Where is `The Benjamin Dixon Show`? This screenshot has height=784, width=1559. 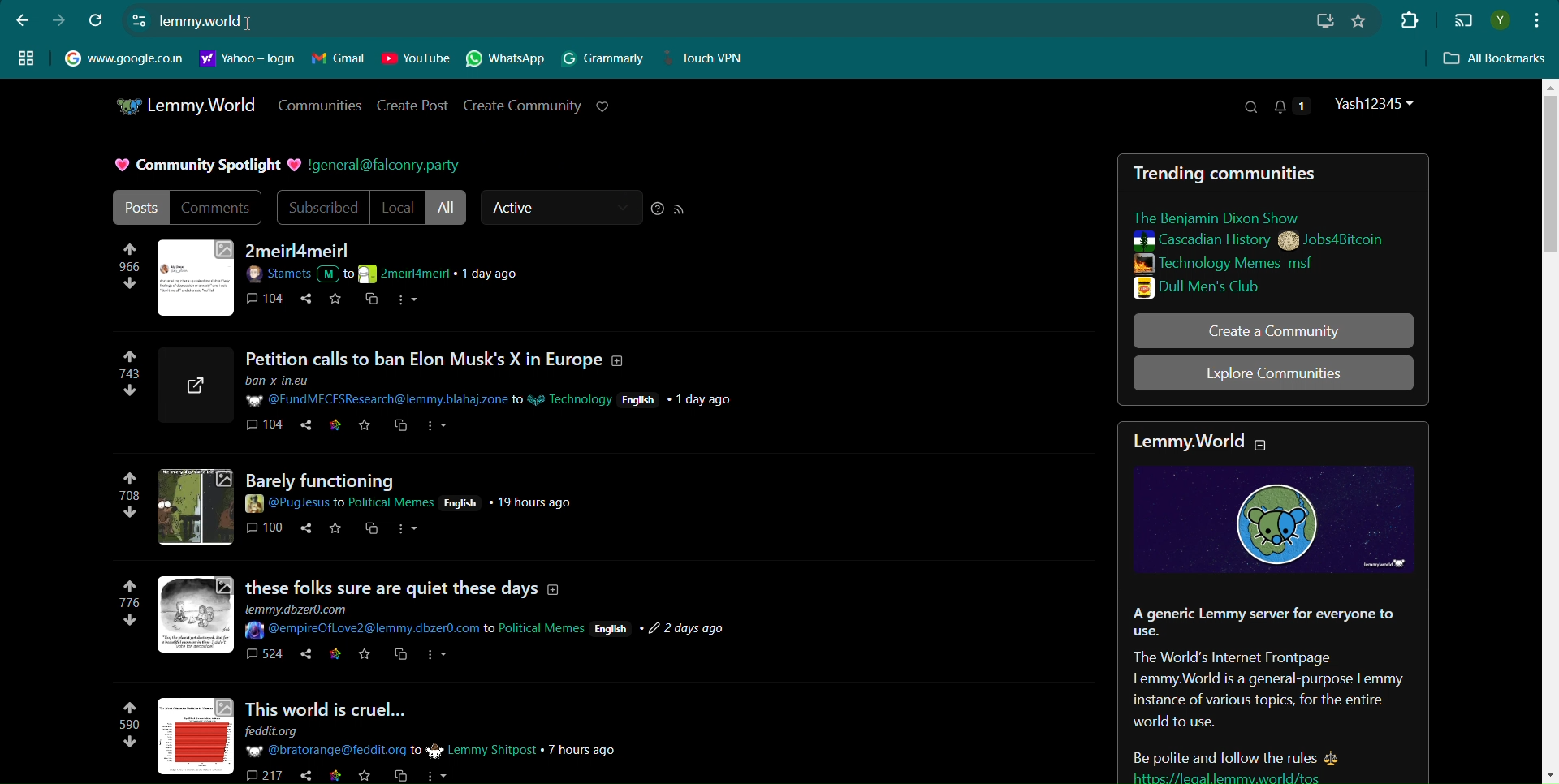 The Benjamin Dixon Show is located at coordinates (1234, 218).